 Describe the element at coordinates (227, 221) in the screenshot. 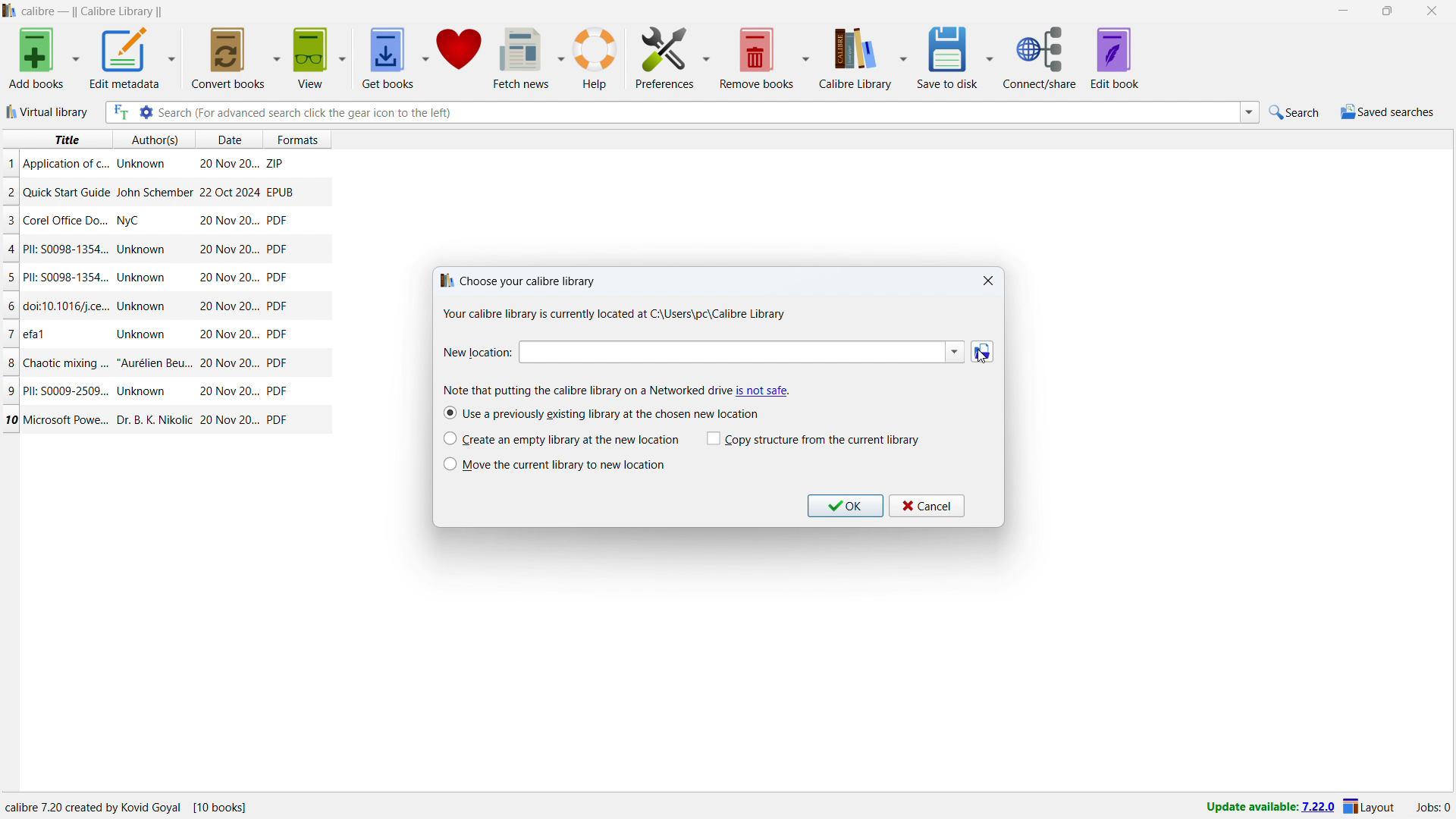

I see `Date` at that location.